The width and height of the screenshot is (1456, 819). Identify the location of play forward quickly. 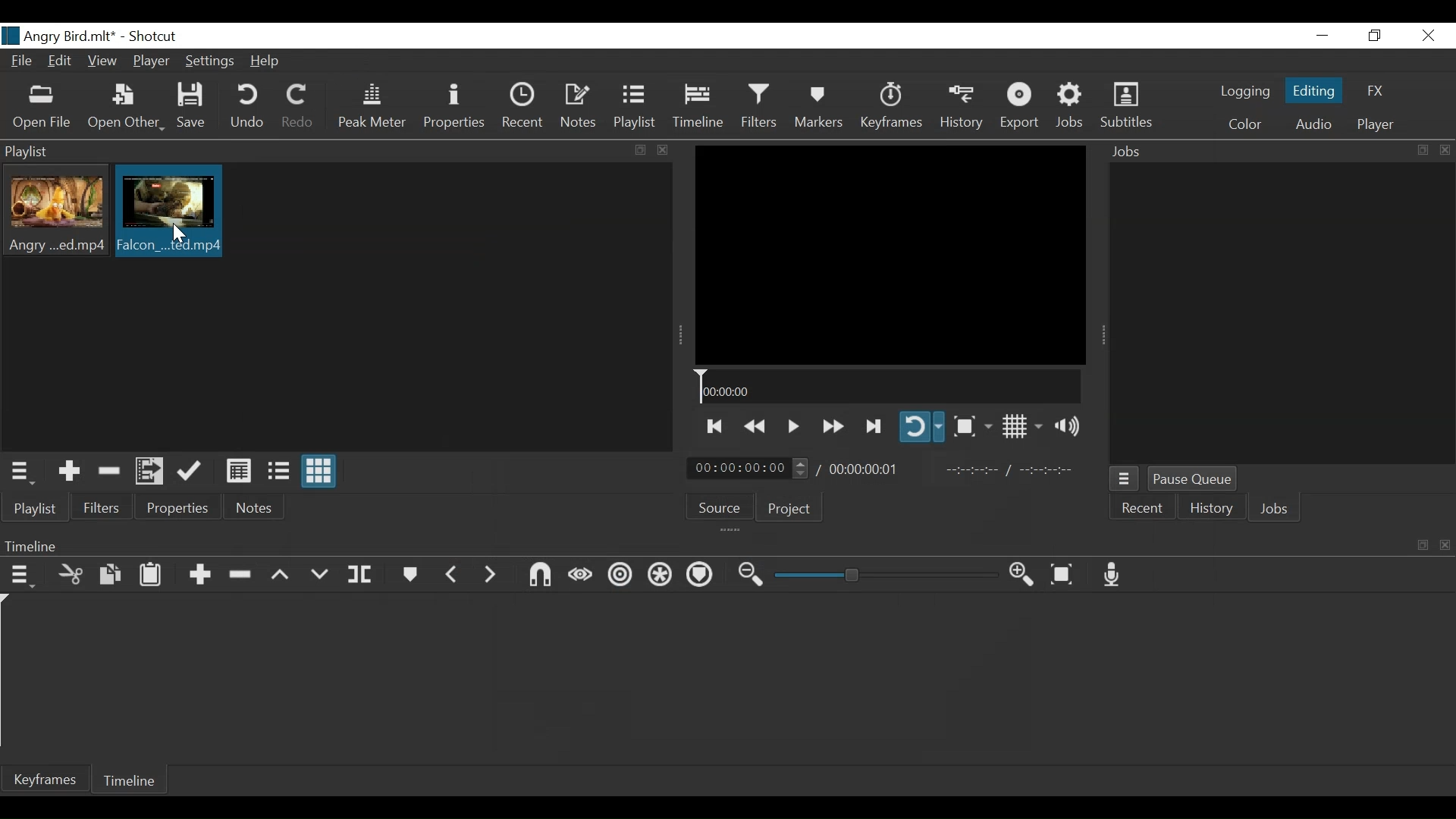
(831, 428).